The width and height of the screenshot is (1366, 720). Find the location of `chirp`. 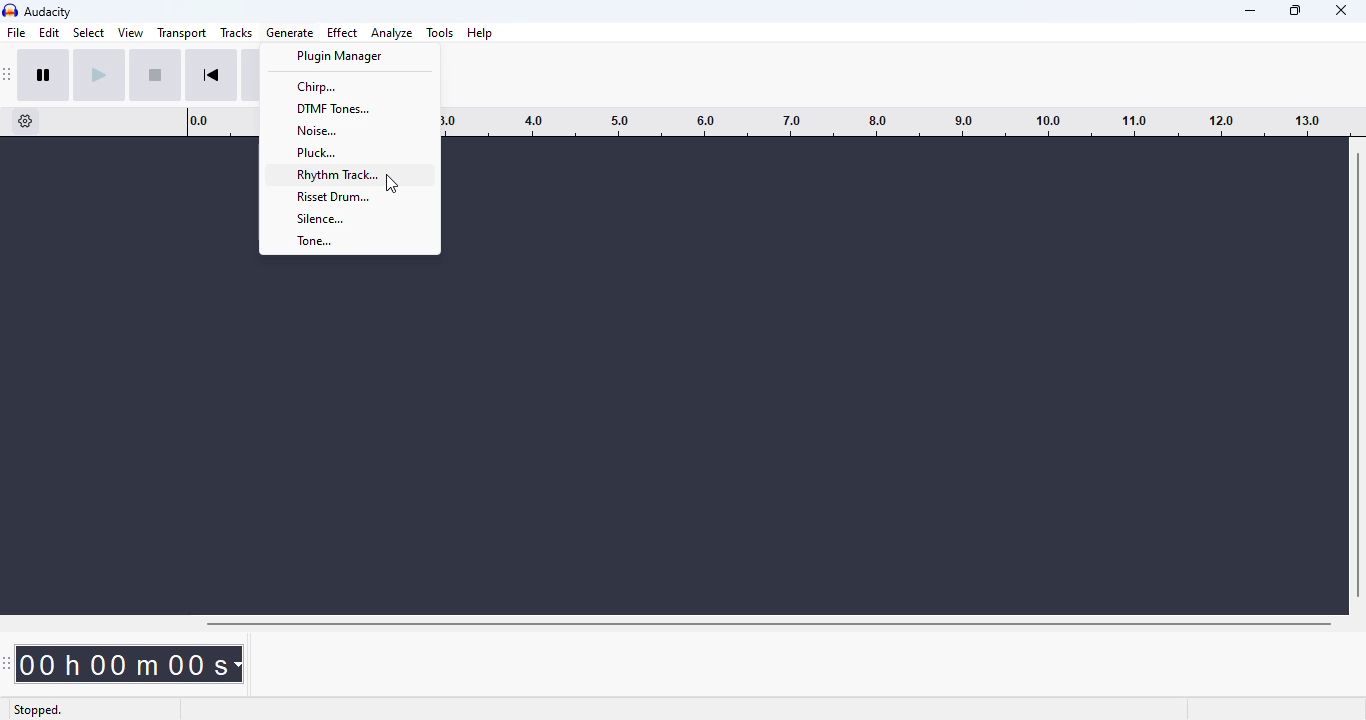

chirp is located at coordinates (347, 87).